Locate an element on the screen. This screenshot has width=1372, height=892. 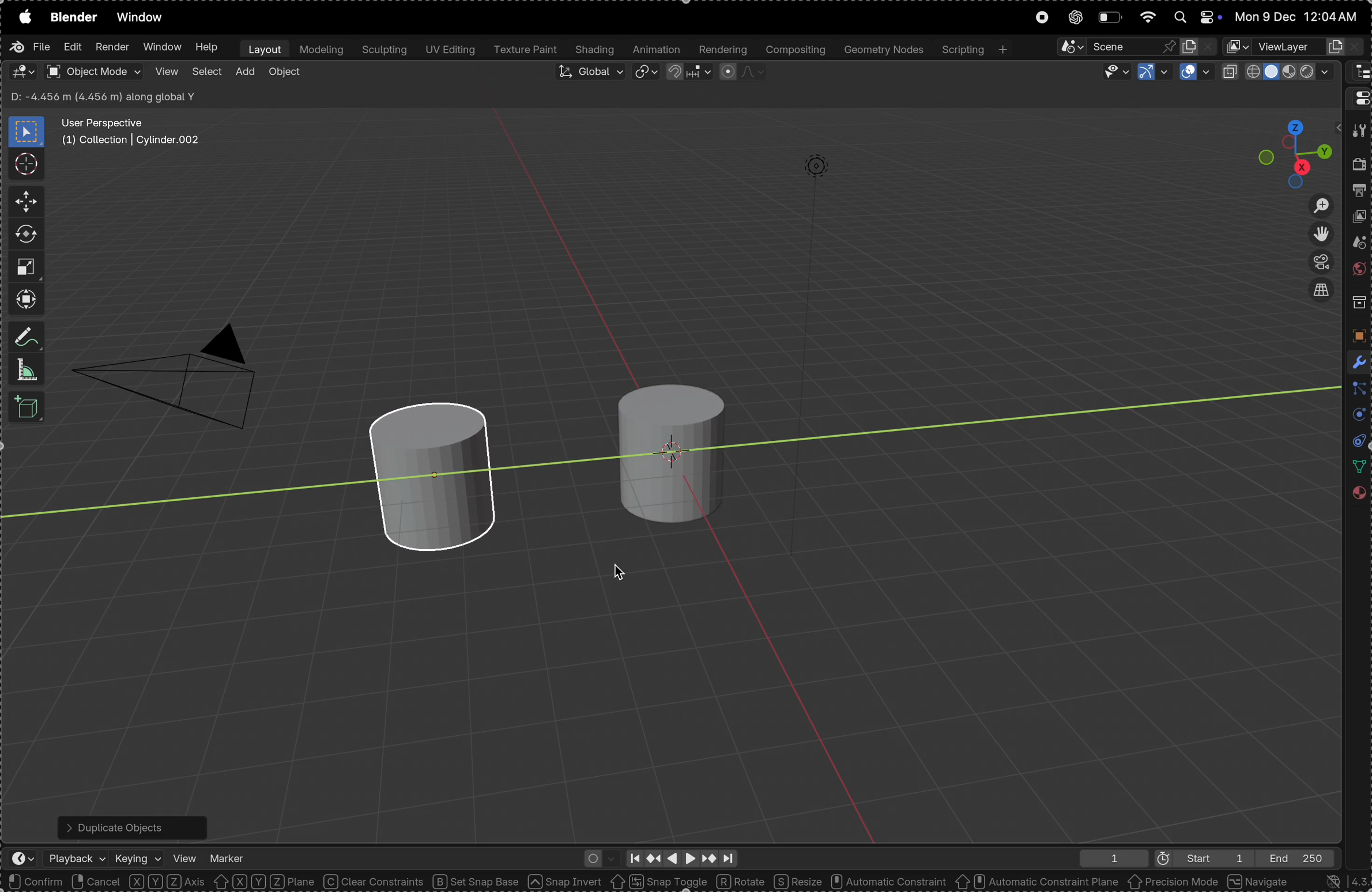
view is located at coordinates (165, 72).